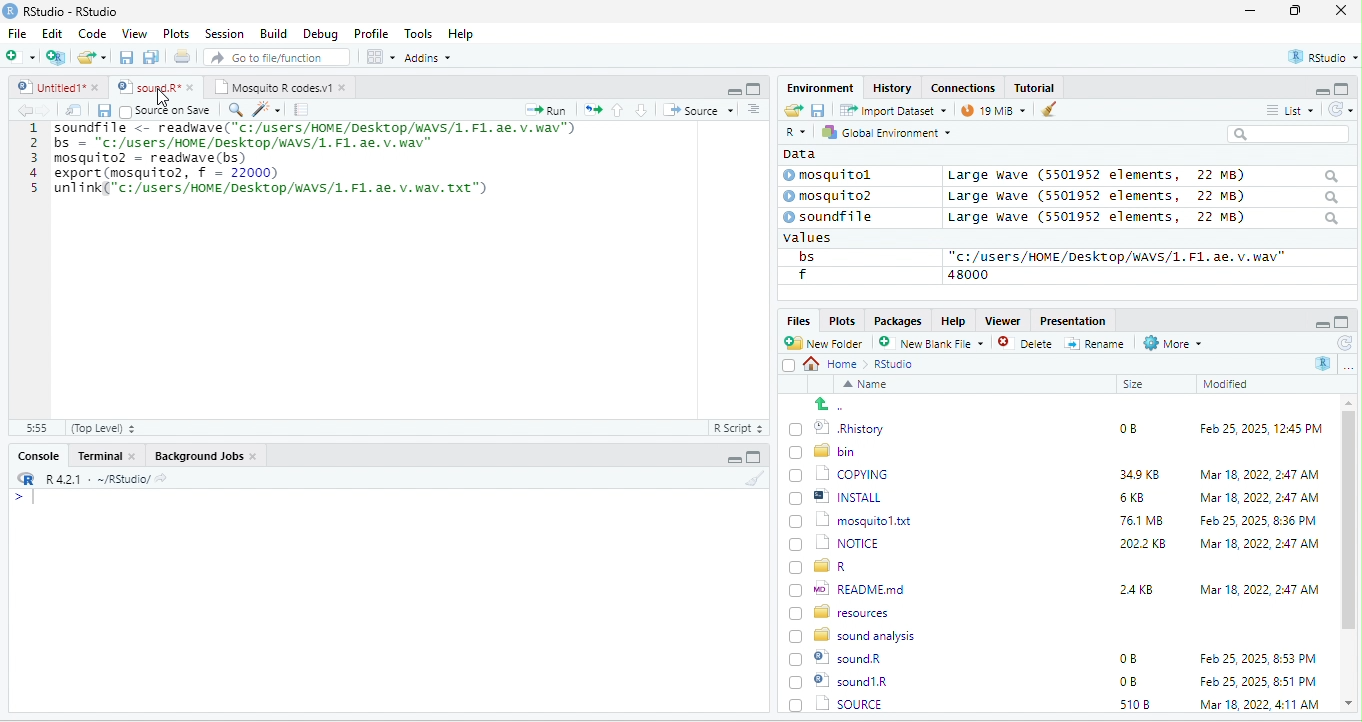 The height and width of the screenshot is (722, 1362). Describe the element at coordinates (74, 110) in the screenshot. I see `open` at that location.